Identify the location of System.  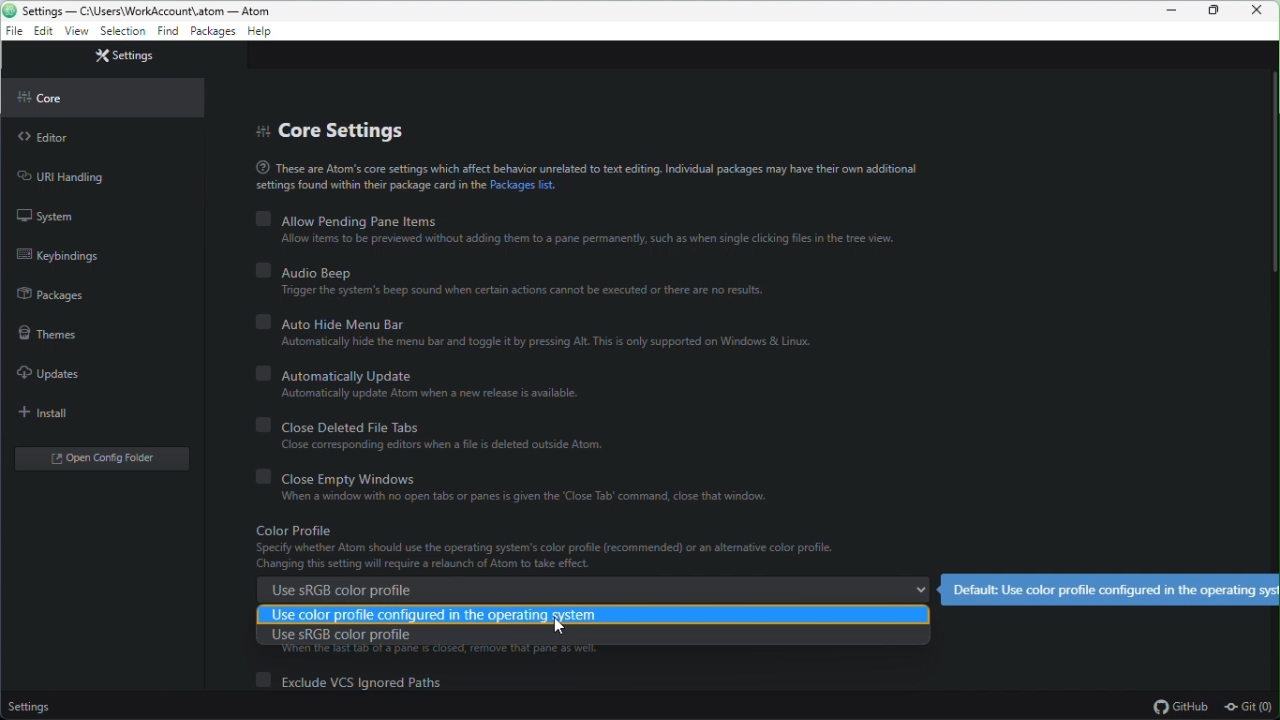
(52, 216).